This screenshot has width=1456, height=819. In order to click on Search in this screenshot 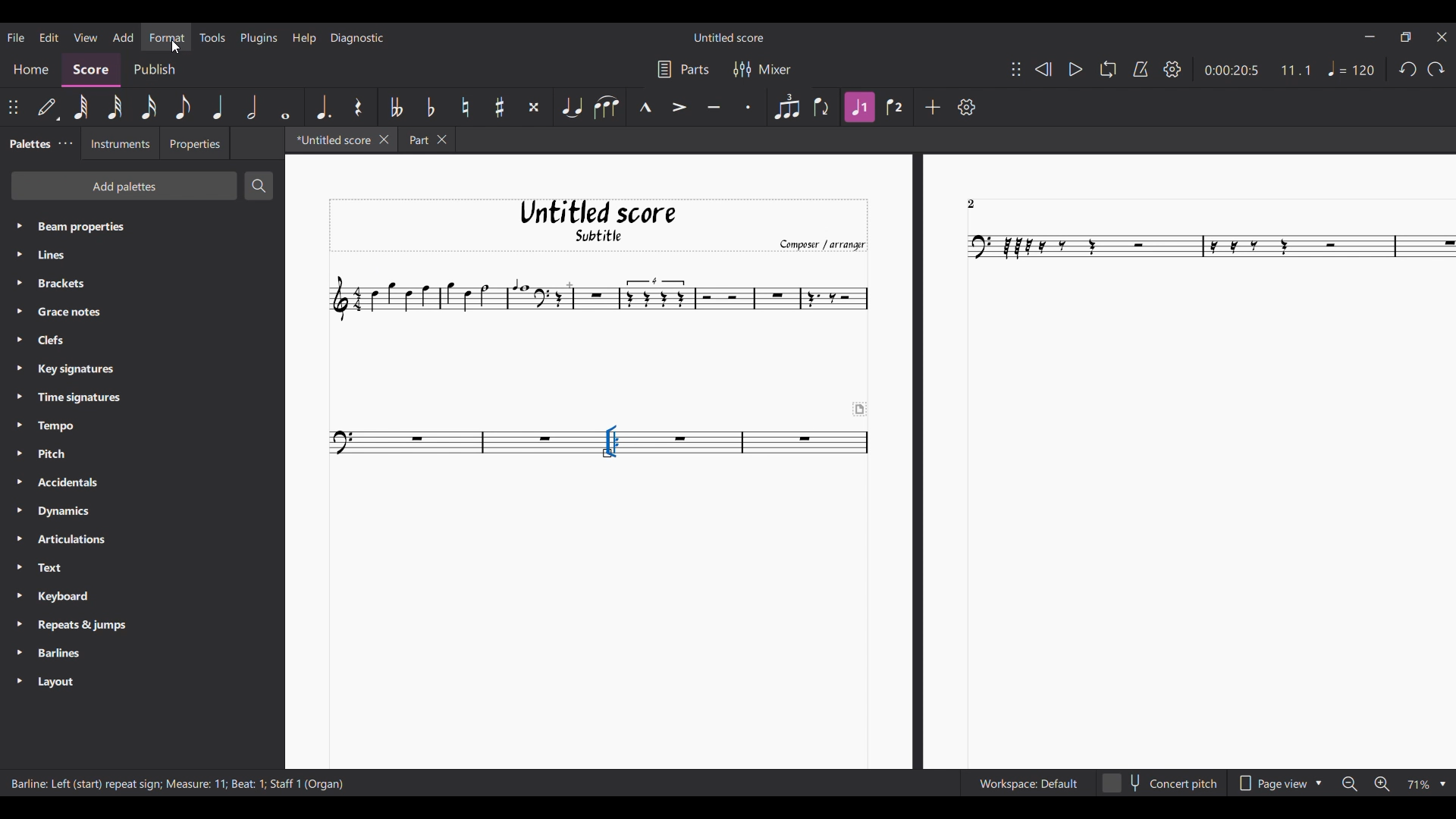, I will do `click(259, 185)`.